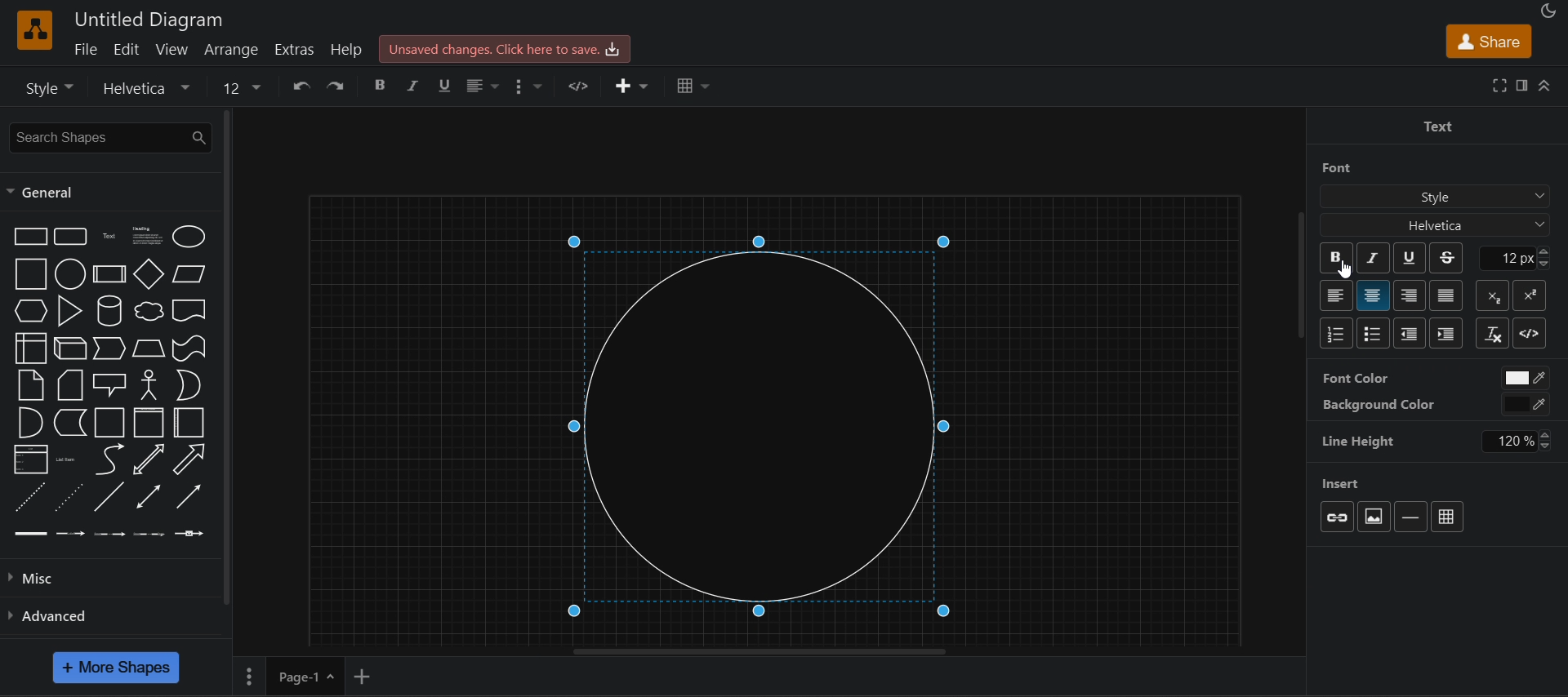  I want to click on italic, so click(1370, 257).